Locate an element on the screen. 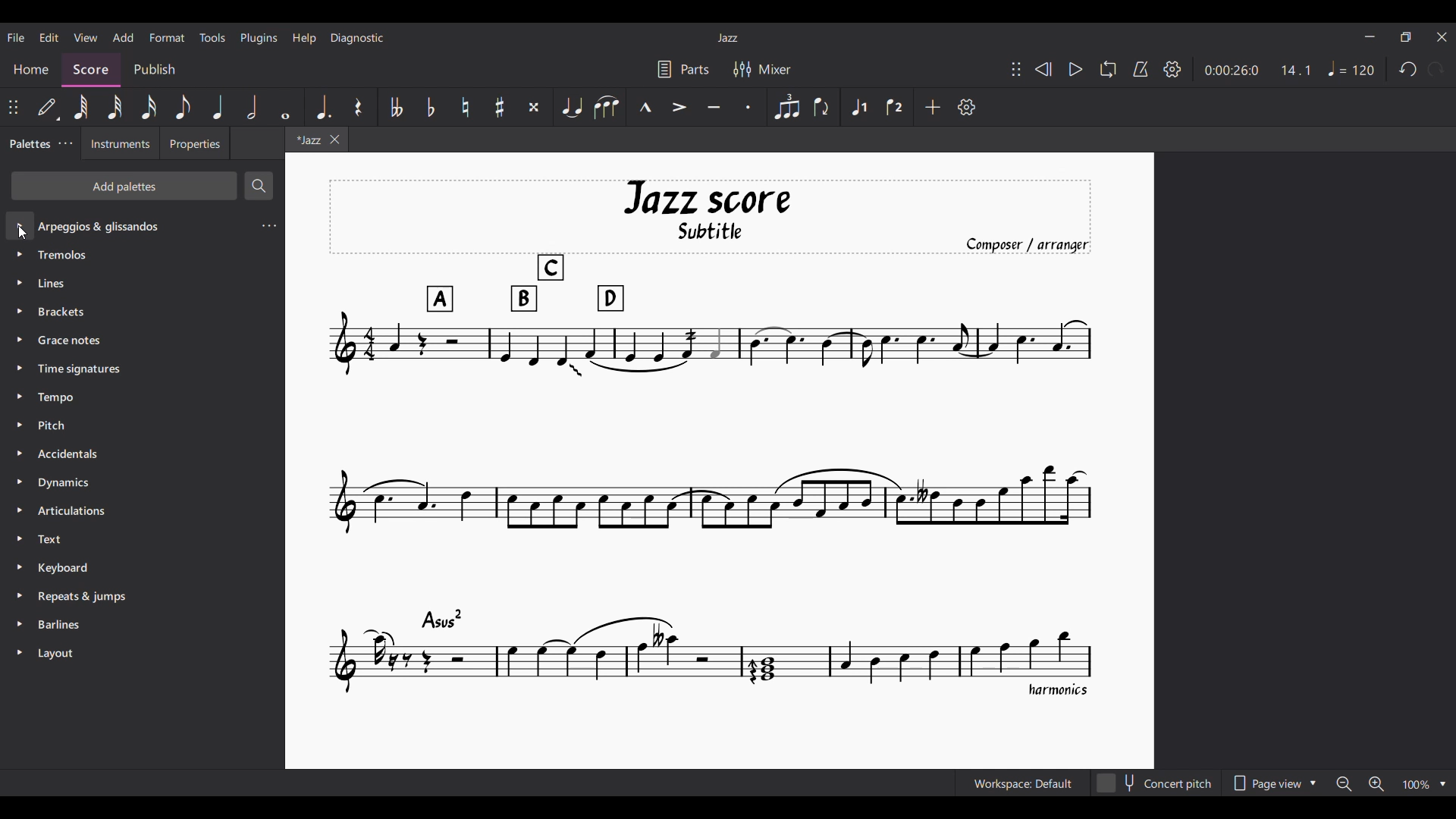 This screenshot has width=1456, height=819. Text is located at coordinates (50, 539).